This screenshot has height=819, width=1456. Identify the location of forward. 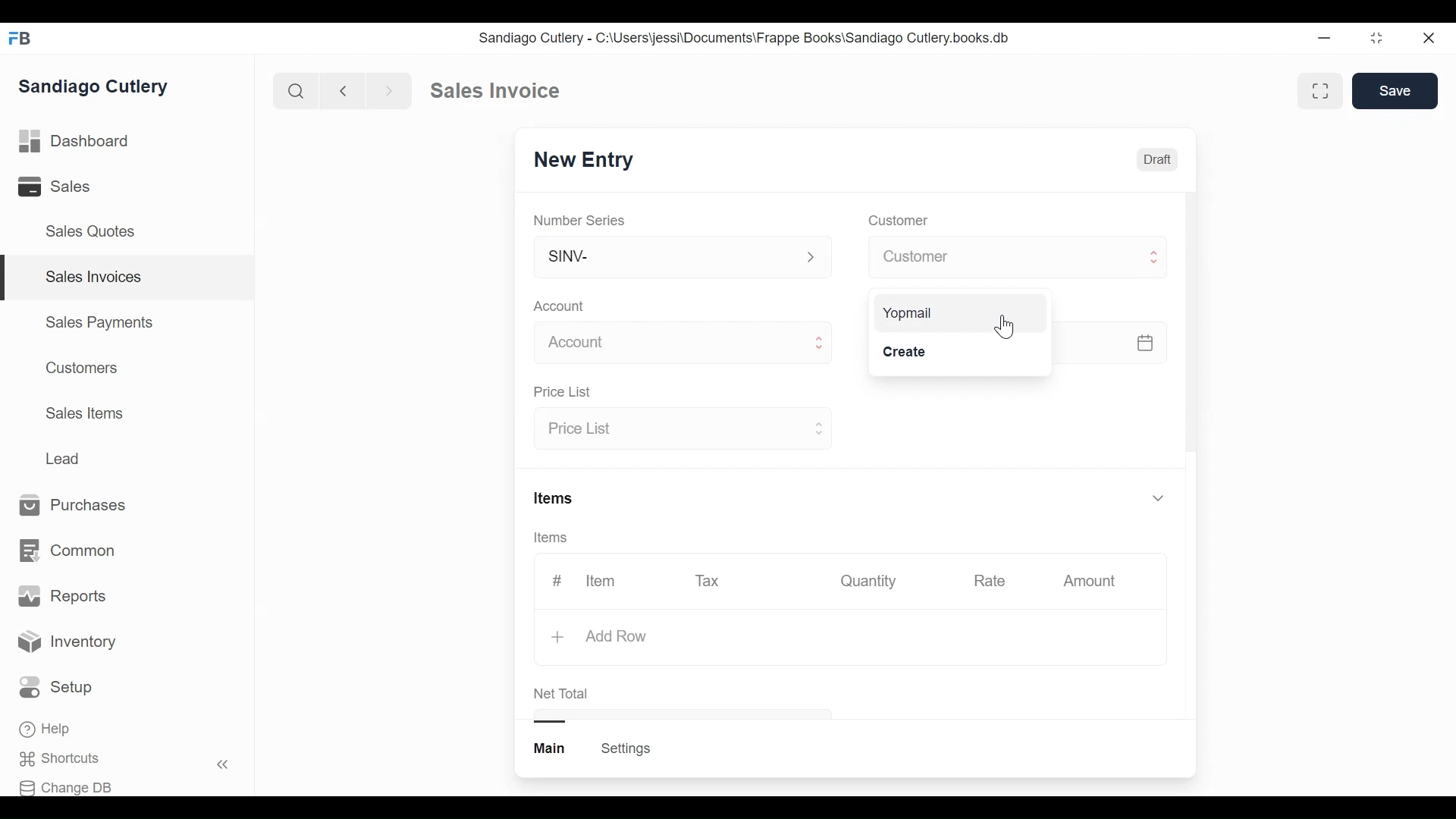
(390, 89).